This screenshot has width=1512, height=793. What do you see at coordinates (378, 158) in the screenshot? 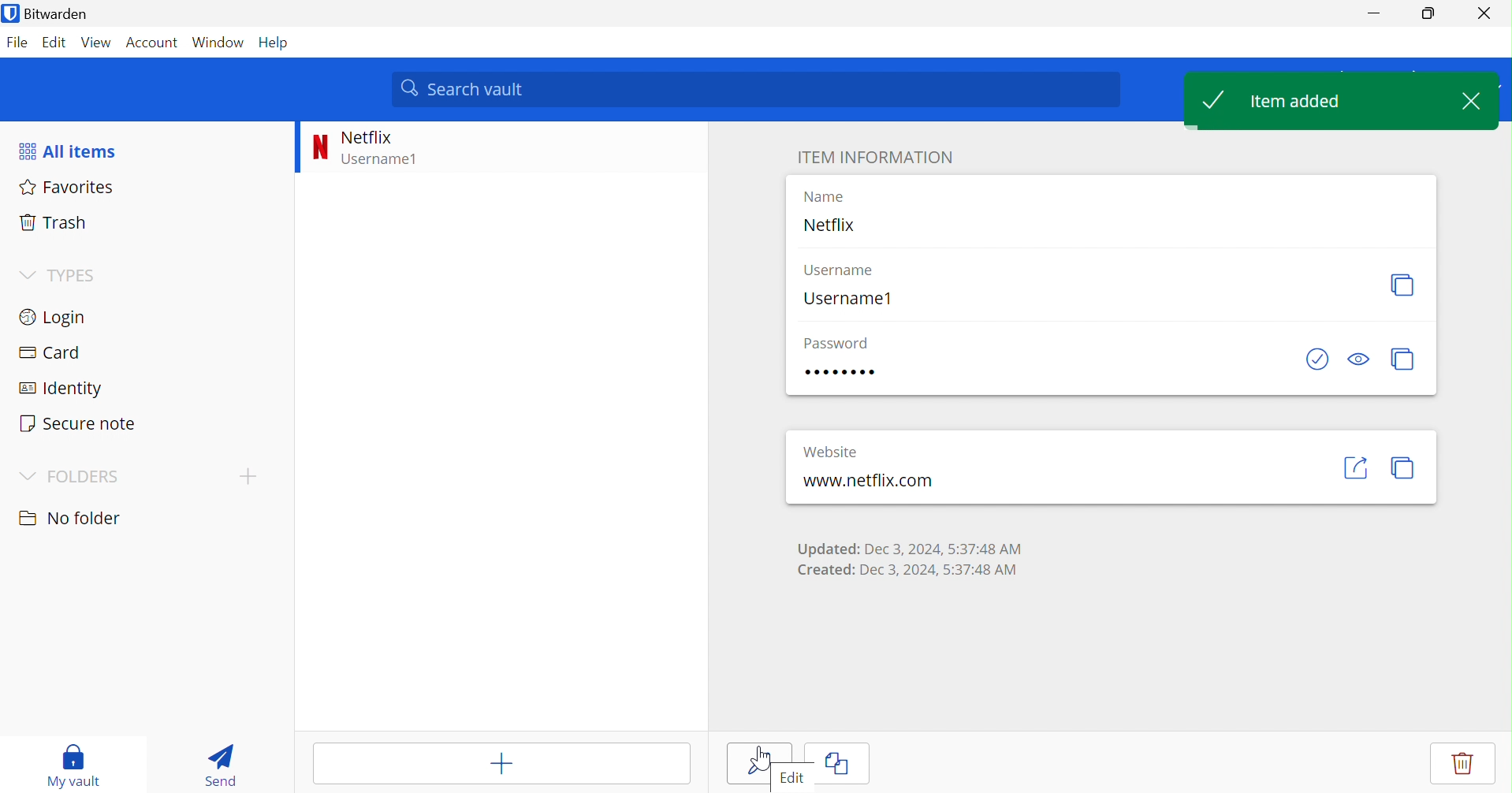
I see `Username1` at bounding box center [378, 158].